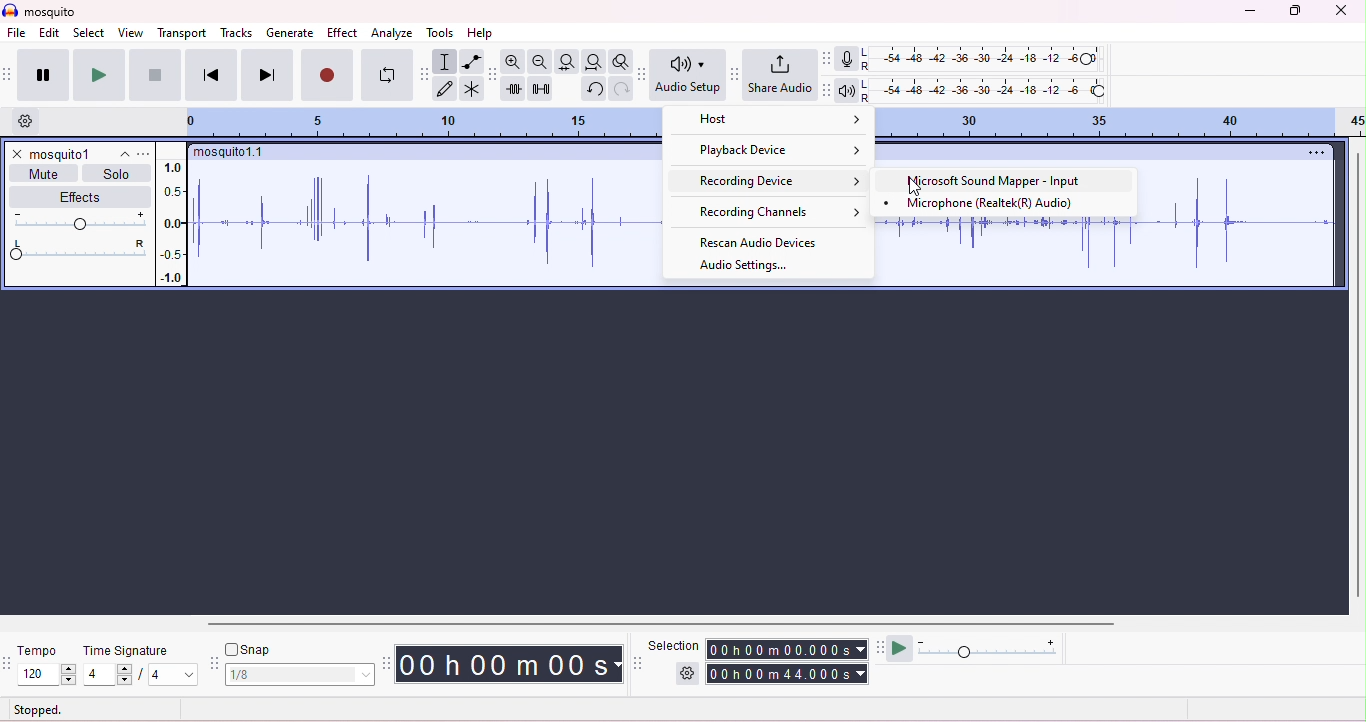 This screenshot has height=722, width=1366. I want to click on previous, so click(211, 74).